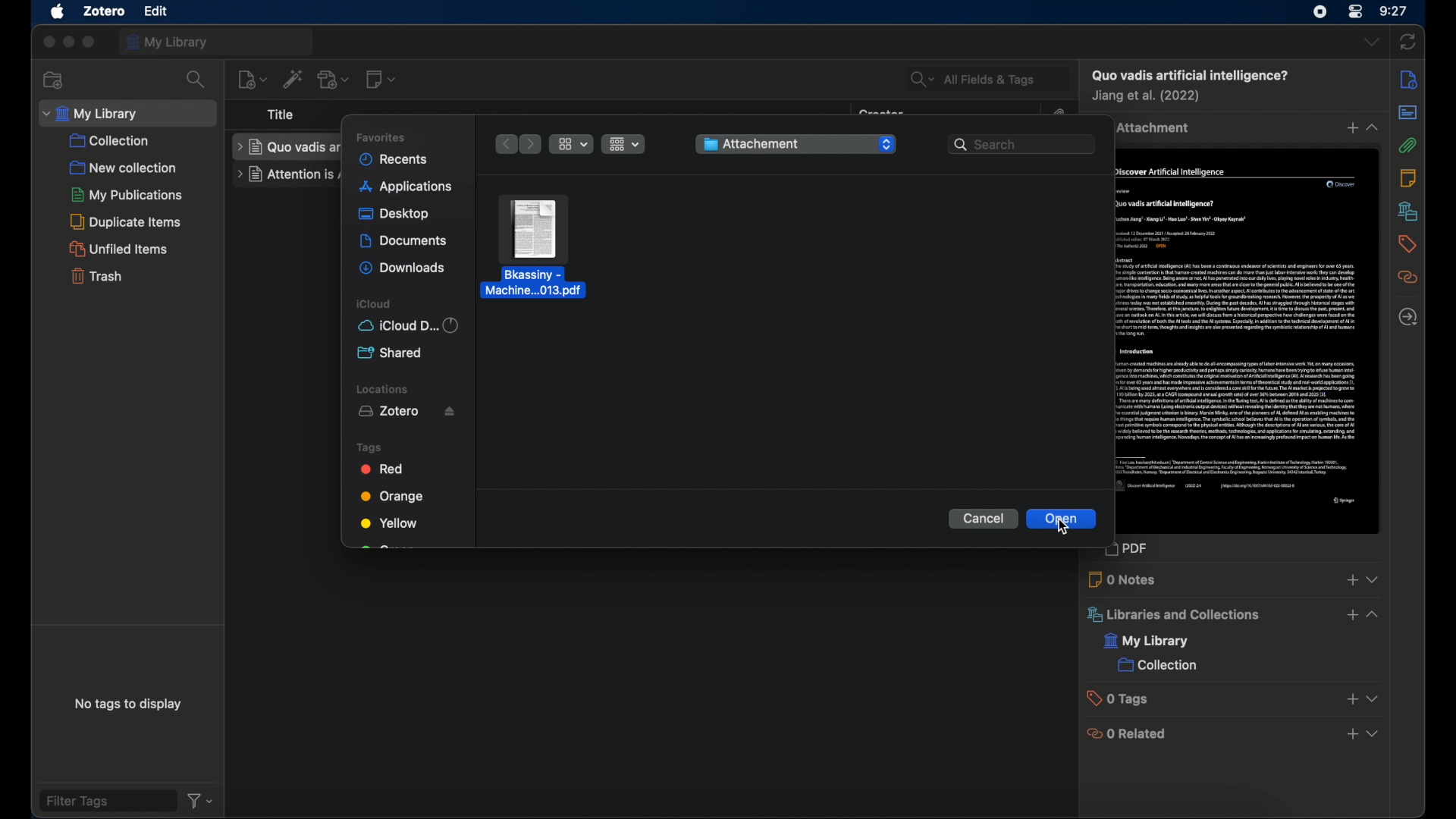 The width and height of the screenshot is (1456, 819). Describe the element at coordinates (1316, 12) in the screenshot. I see `screen recorder icon` at that location.